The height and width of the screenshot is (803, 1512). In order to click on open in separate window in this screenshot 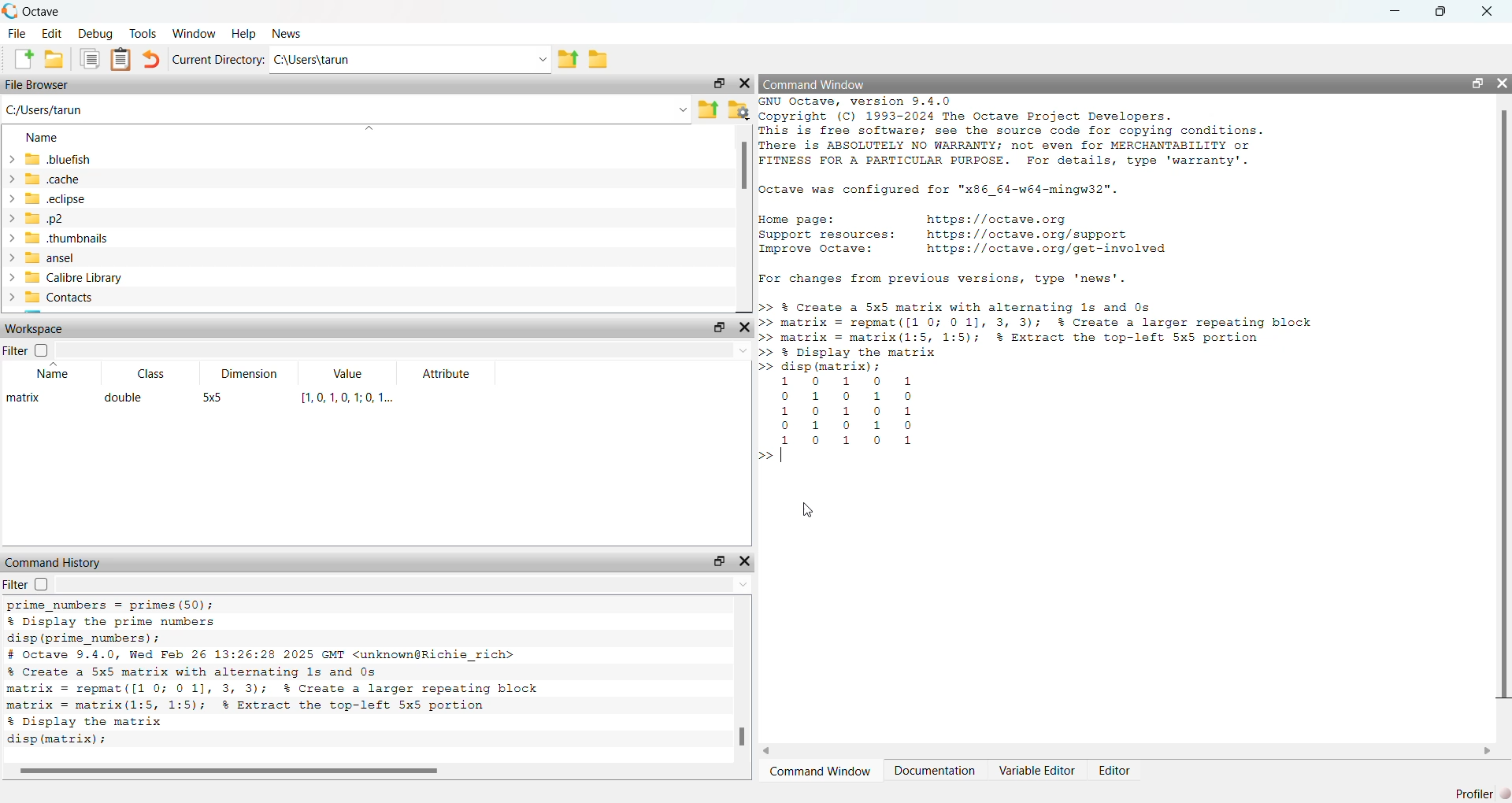, I will do `click(720, 561)`.